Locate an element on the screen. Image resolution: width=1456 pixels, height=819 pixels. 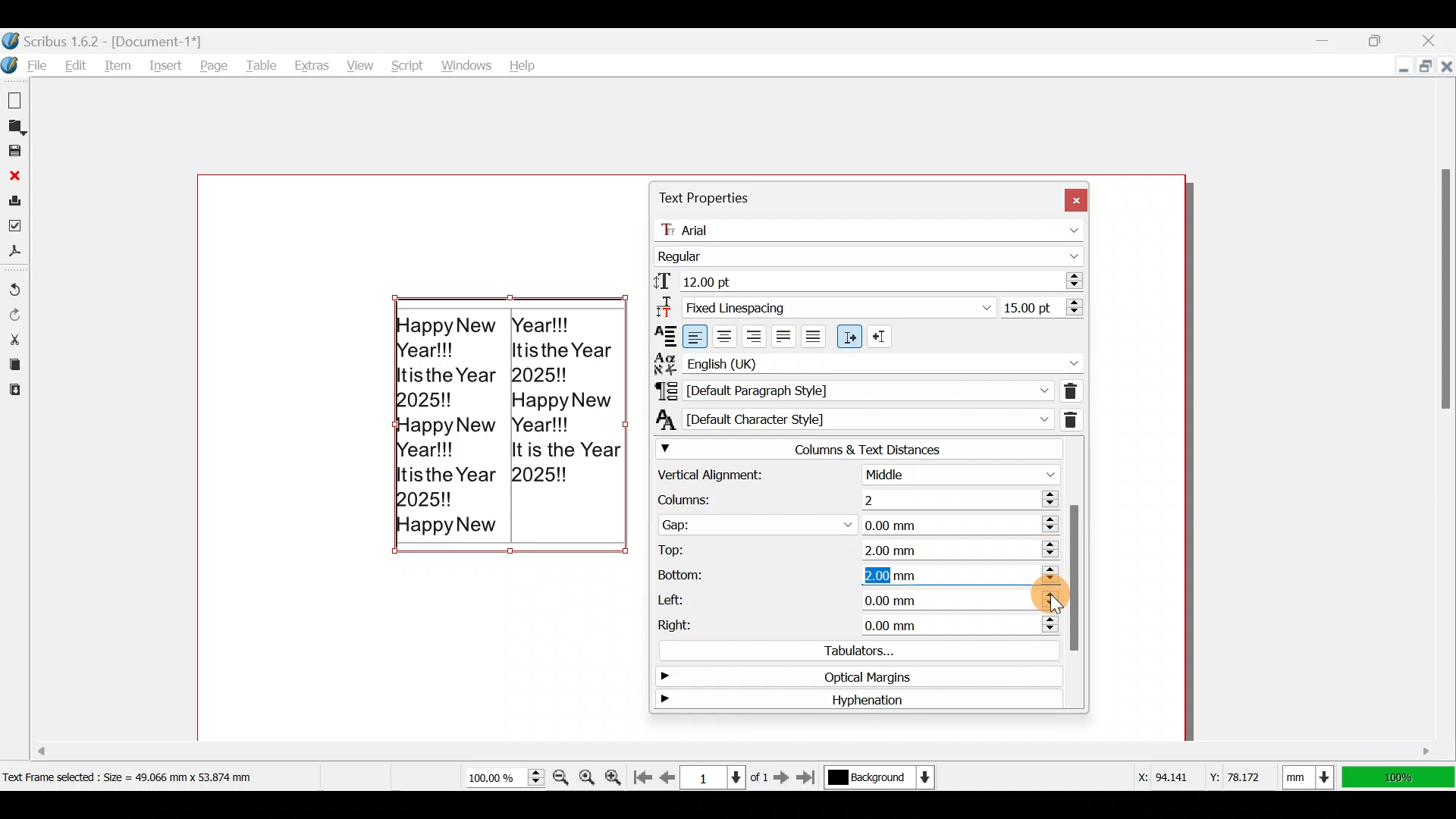
Text Alignment is located at coordinates (661, 335).